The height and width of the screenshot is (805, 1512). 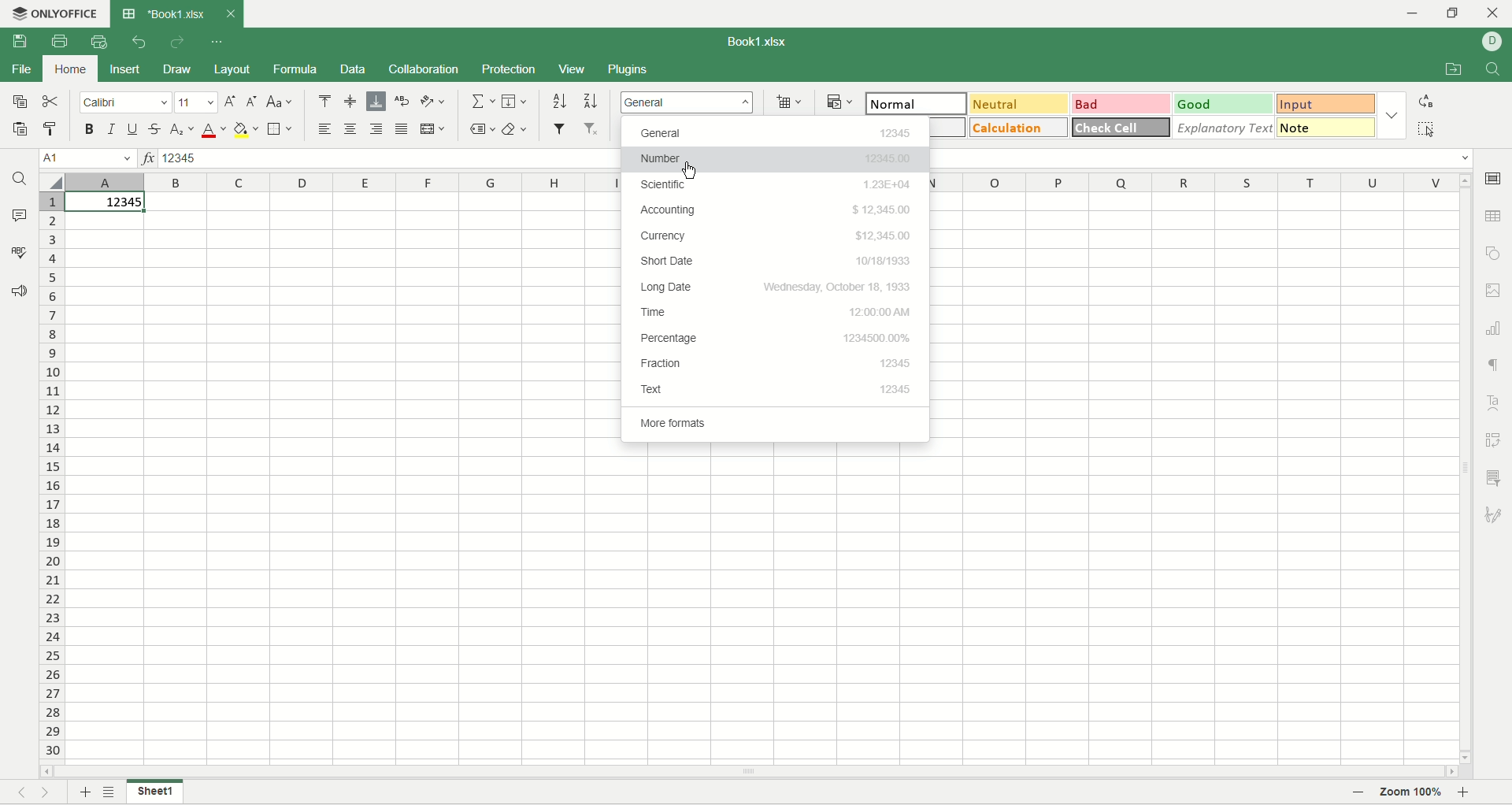 I want to click on align left, so click(x=328, y=130).